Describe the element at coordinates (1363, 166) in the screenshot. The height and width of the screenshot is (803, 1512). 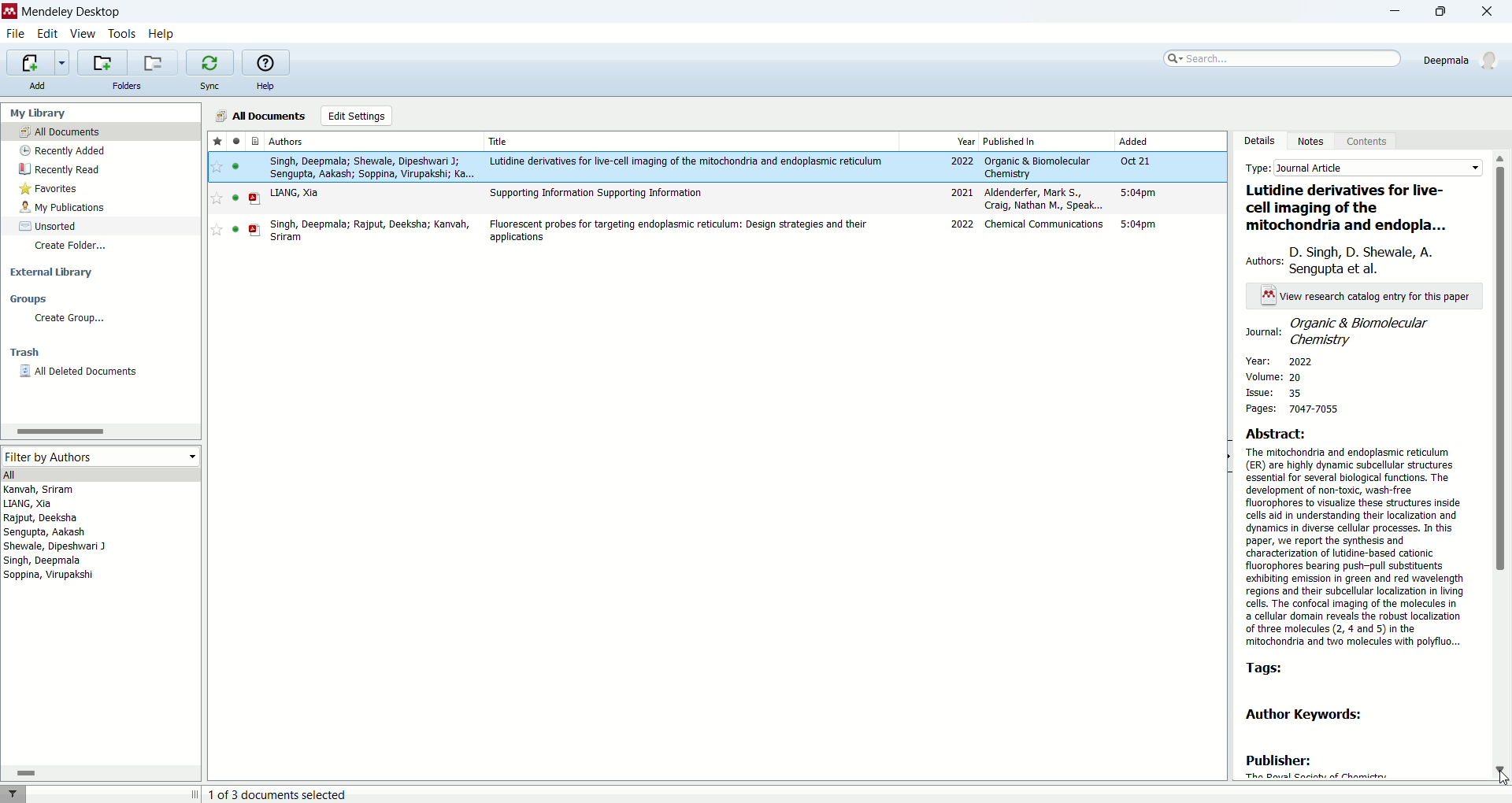
I see `type: journal article` at that location.